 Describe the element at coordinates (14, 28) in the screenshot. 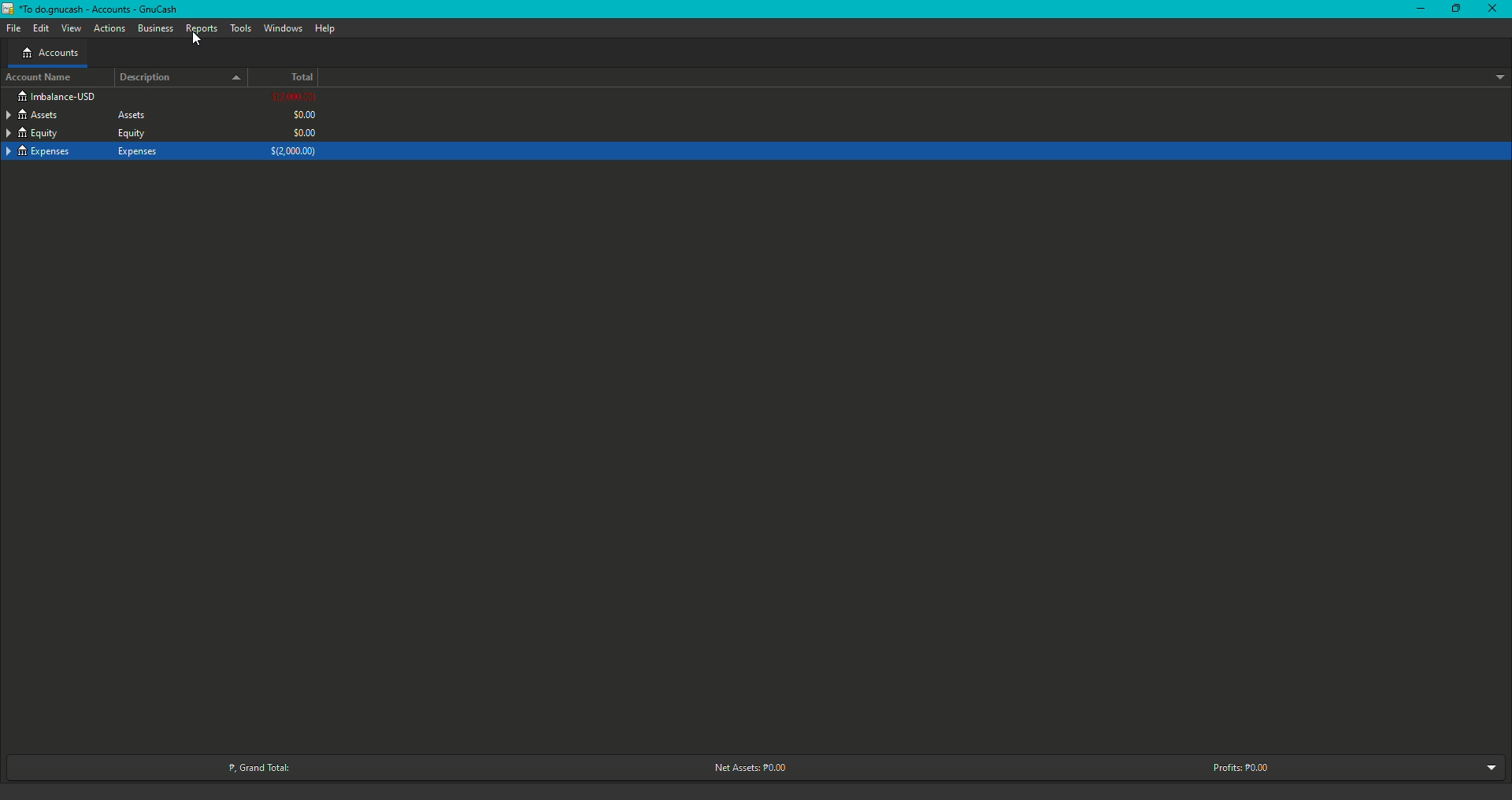

I see `File` at that location.